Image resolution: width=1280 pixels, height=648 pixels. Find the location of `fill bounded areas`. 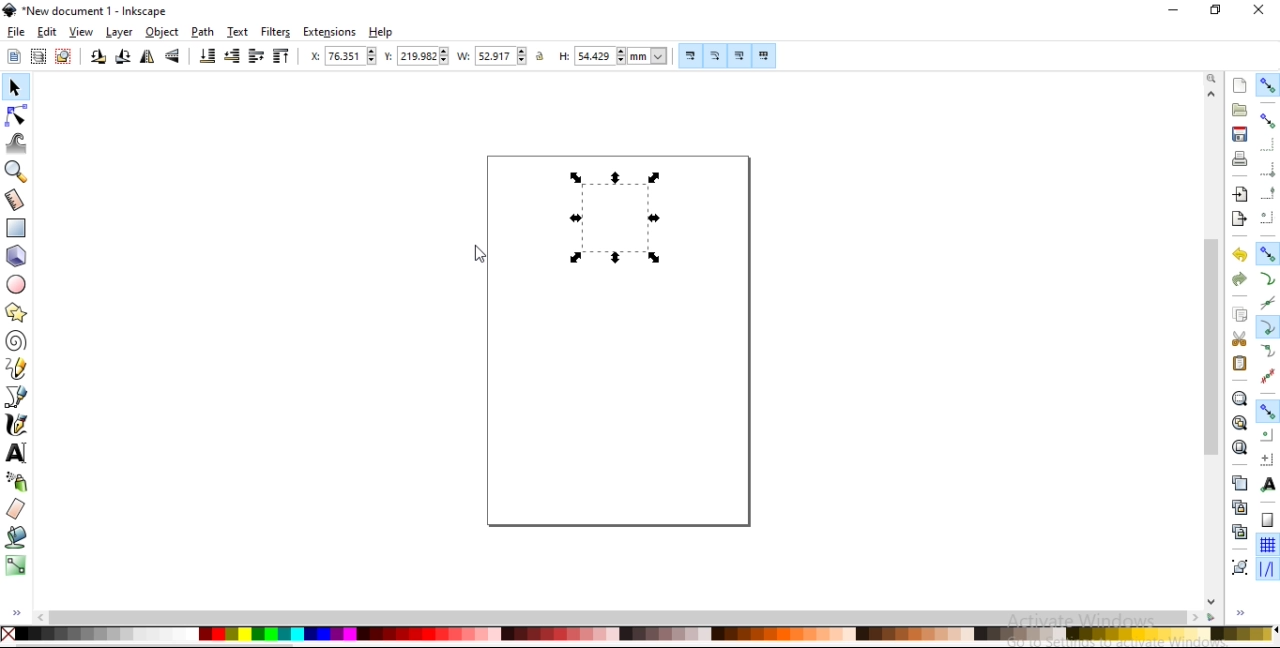

fill bounded areas is located at coordinates (17, 538).